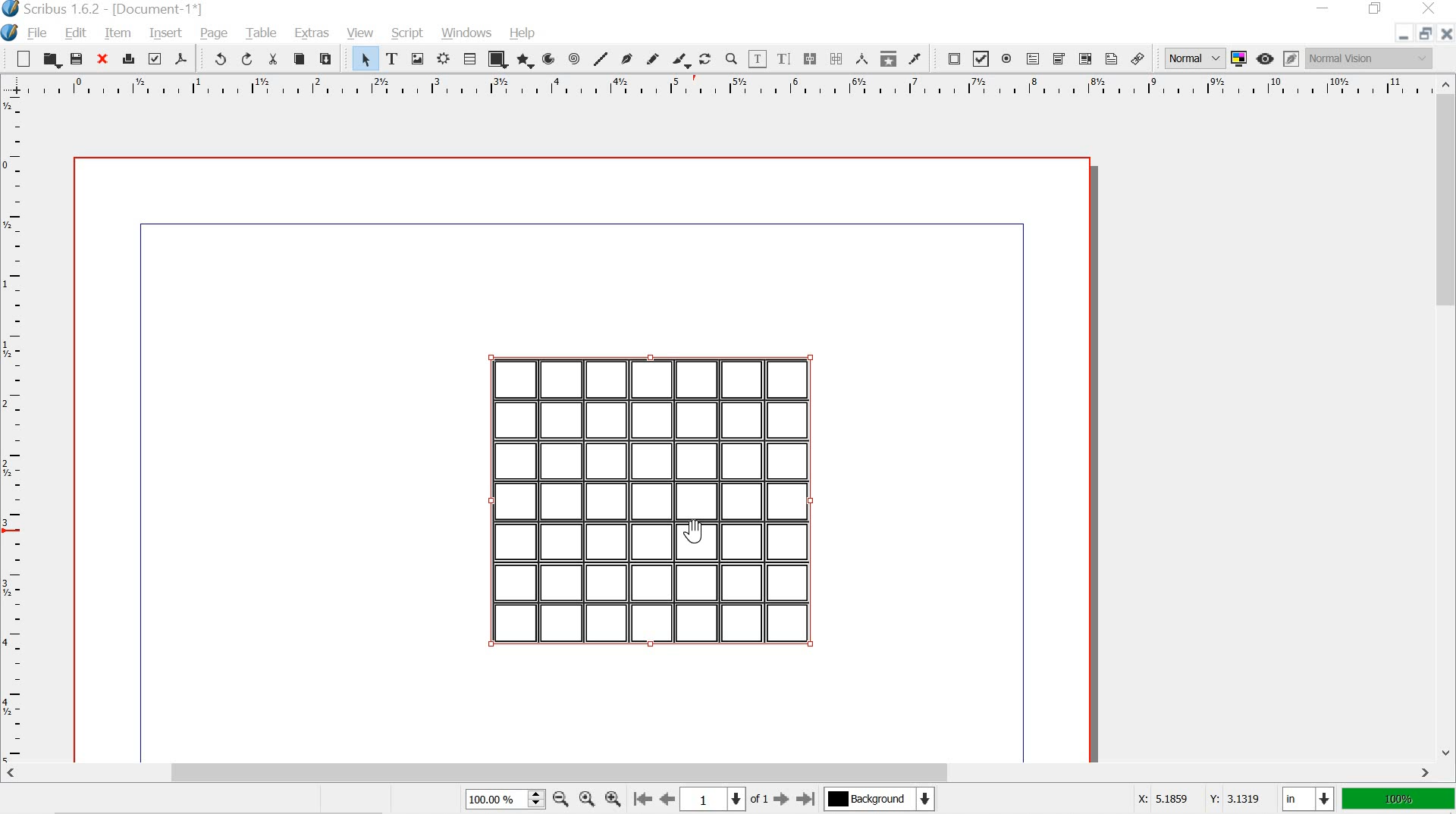 Image resolution: width=1456 pixels, height=814 pixels. I want to click on cut, so click(273, 61).